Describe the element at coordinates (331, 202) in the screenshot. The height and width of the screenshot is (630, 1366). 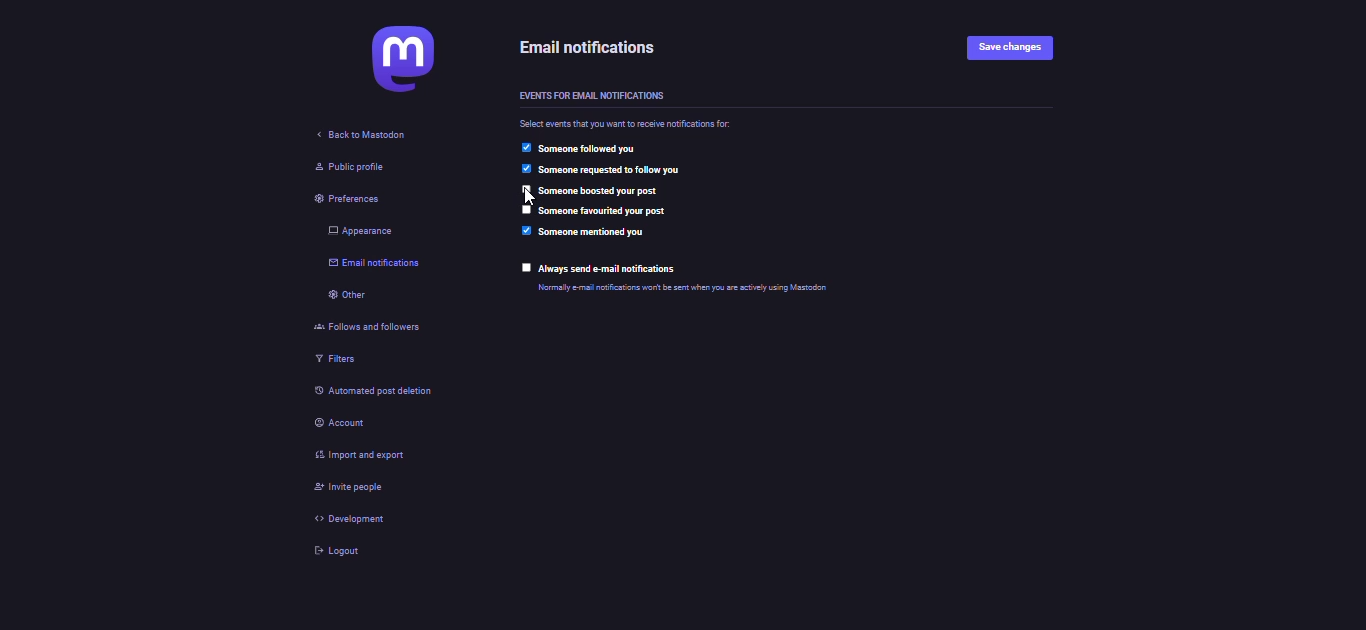
I see `preferences` at that location.